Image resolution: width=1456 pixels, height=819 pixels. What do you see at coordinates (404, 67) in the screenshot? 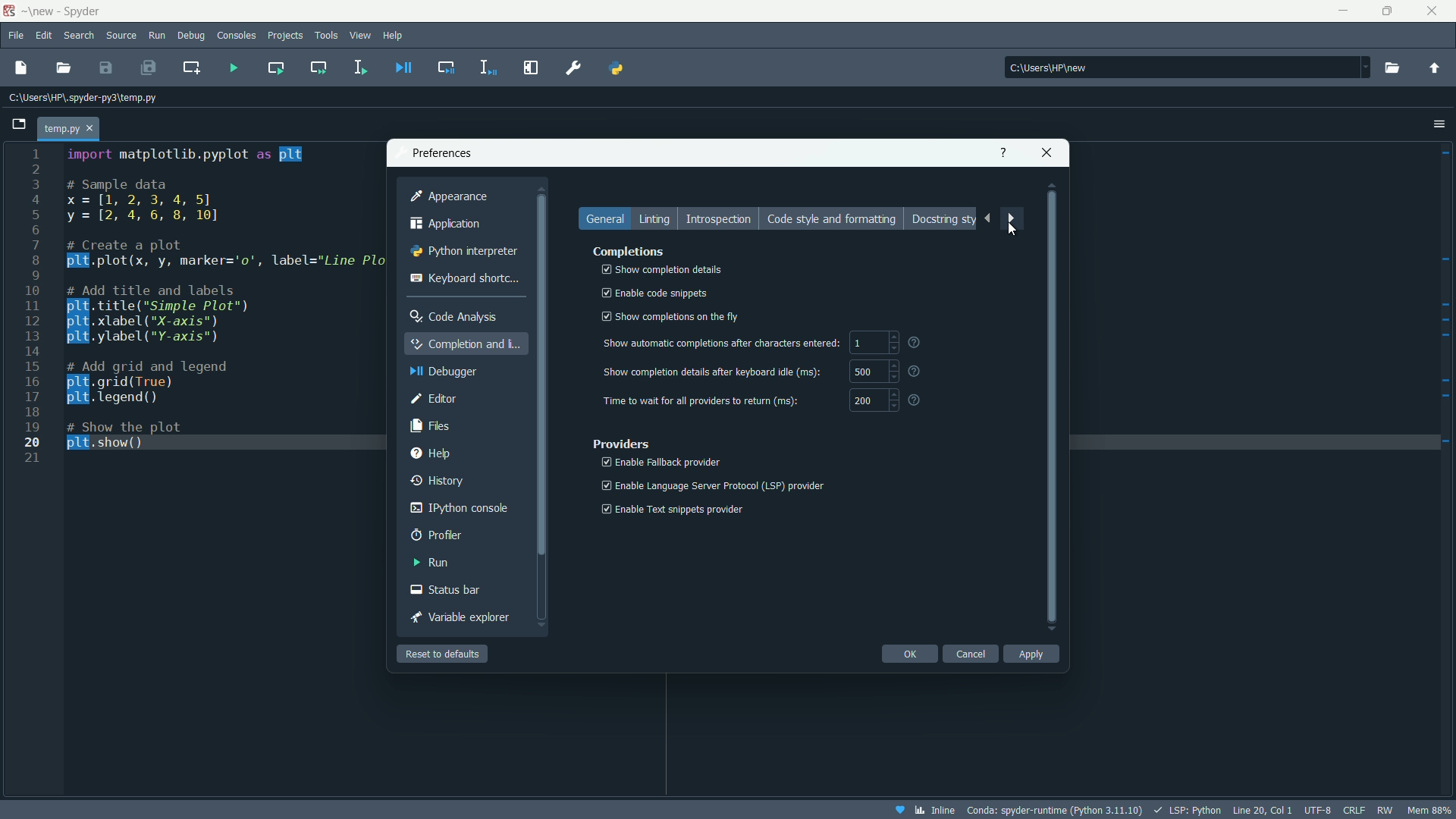
I see `debug file` at bounding box center [404, 67].